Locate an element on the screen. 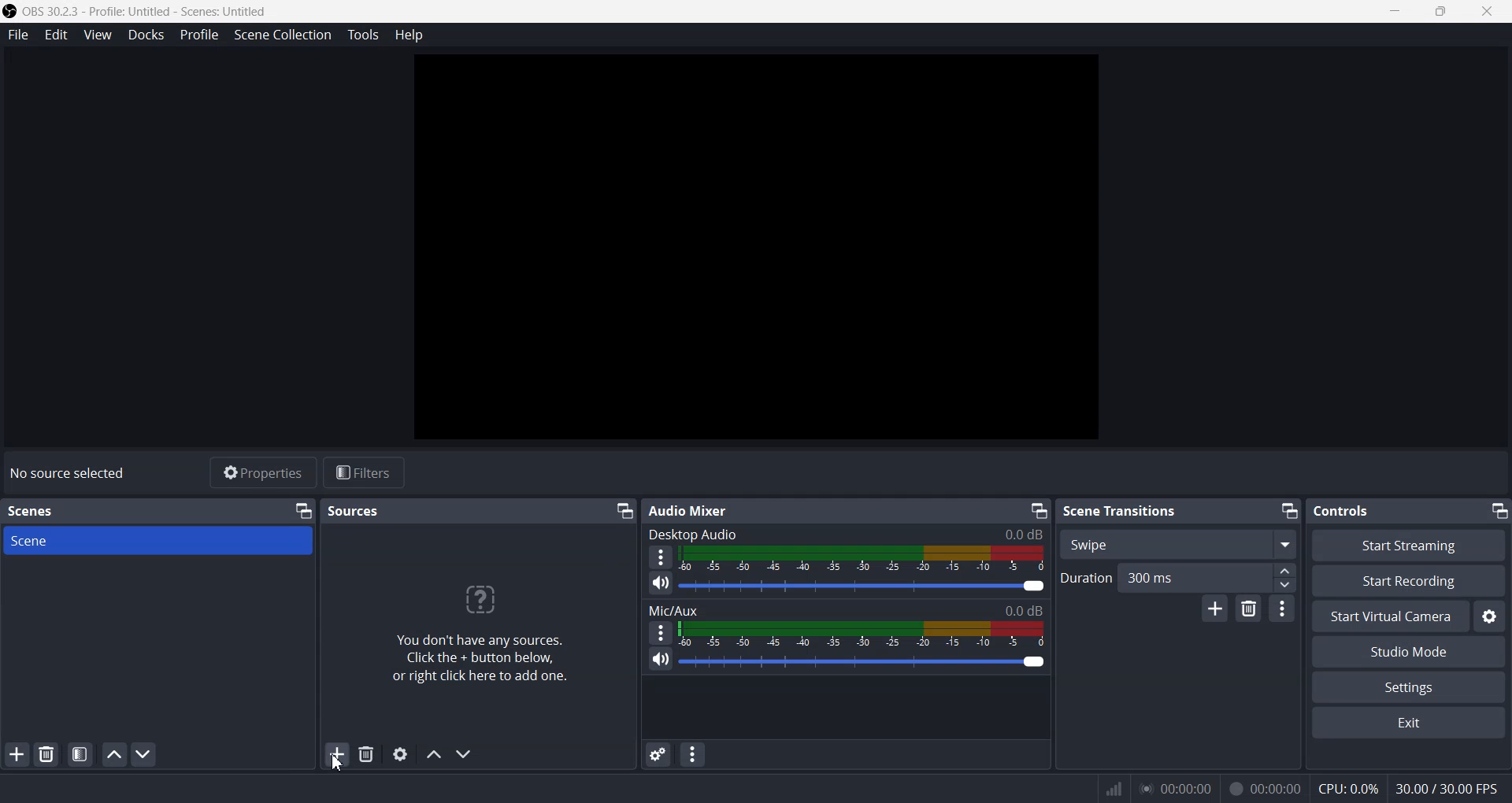 This screenshot has width=1512, height=803. Add Sources is located at coordinates (336, 756).